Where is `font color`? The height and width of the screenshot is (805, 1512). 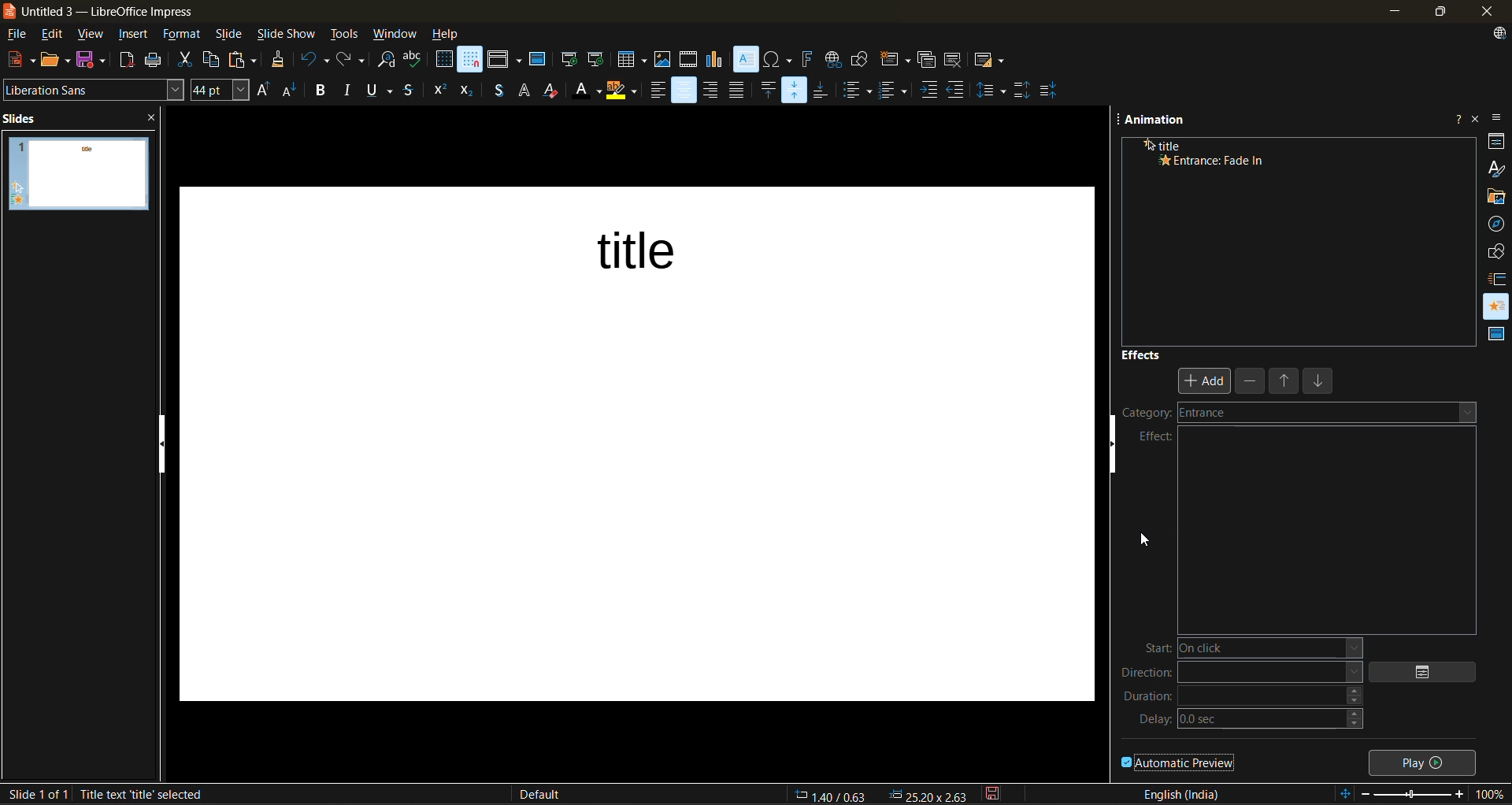 font color is located at coordinates (588, 92).